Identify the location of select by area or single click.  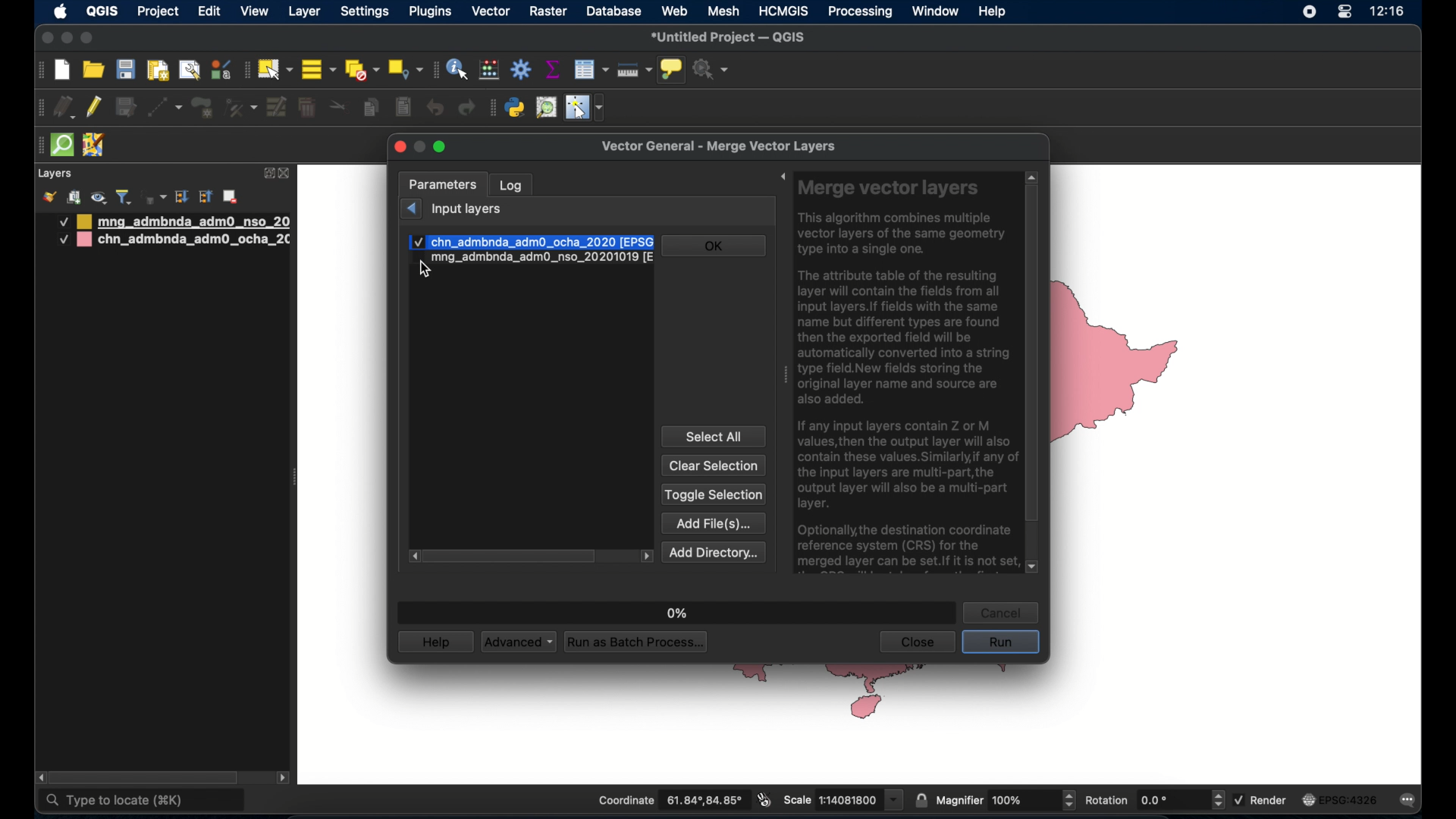
(277, 67).